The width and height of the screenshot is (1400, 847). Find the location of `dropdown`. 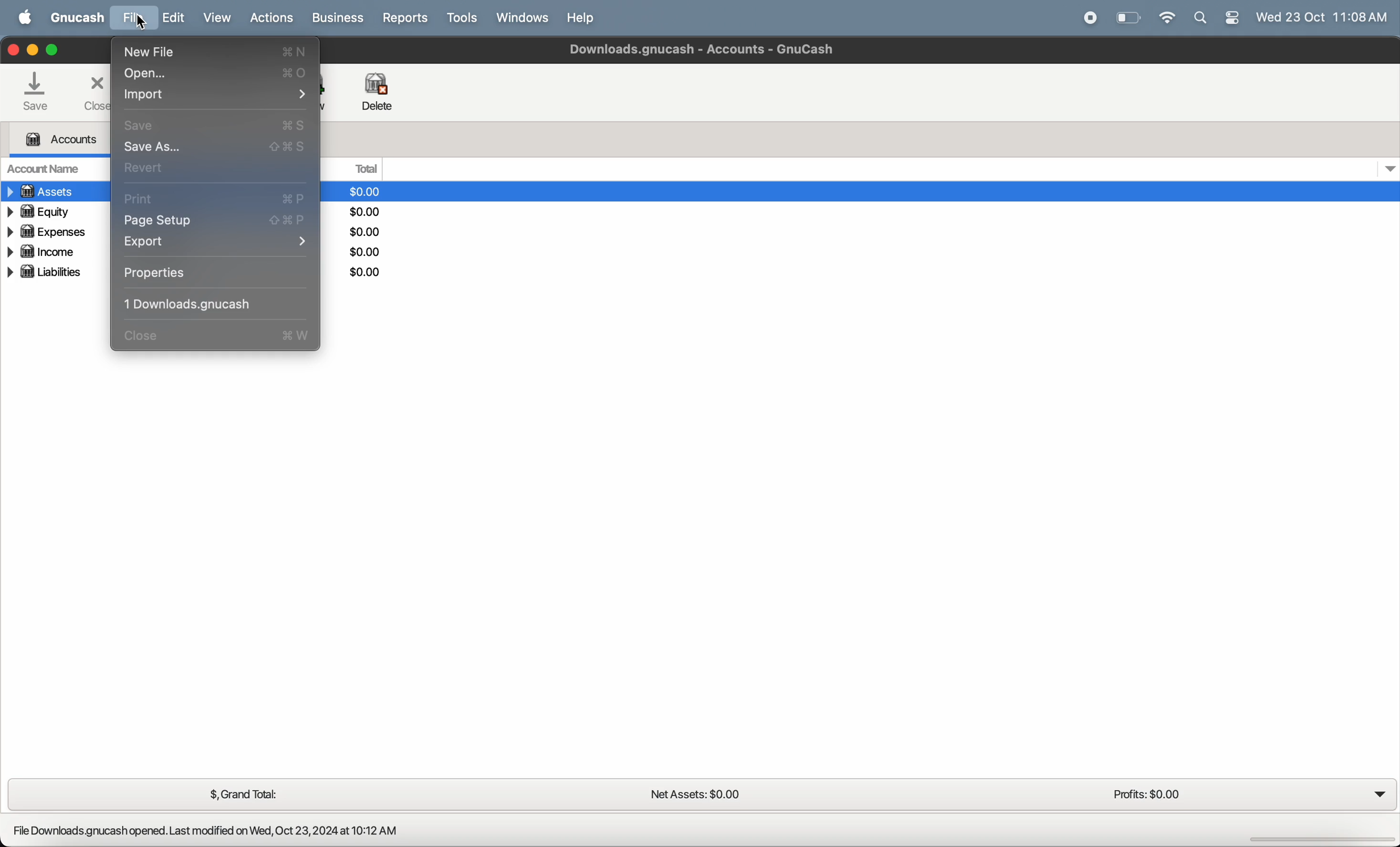

dropdown is located at coordinates (1388, 167).